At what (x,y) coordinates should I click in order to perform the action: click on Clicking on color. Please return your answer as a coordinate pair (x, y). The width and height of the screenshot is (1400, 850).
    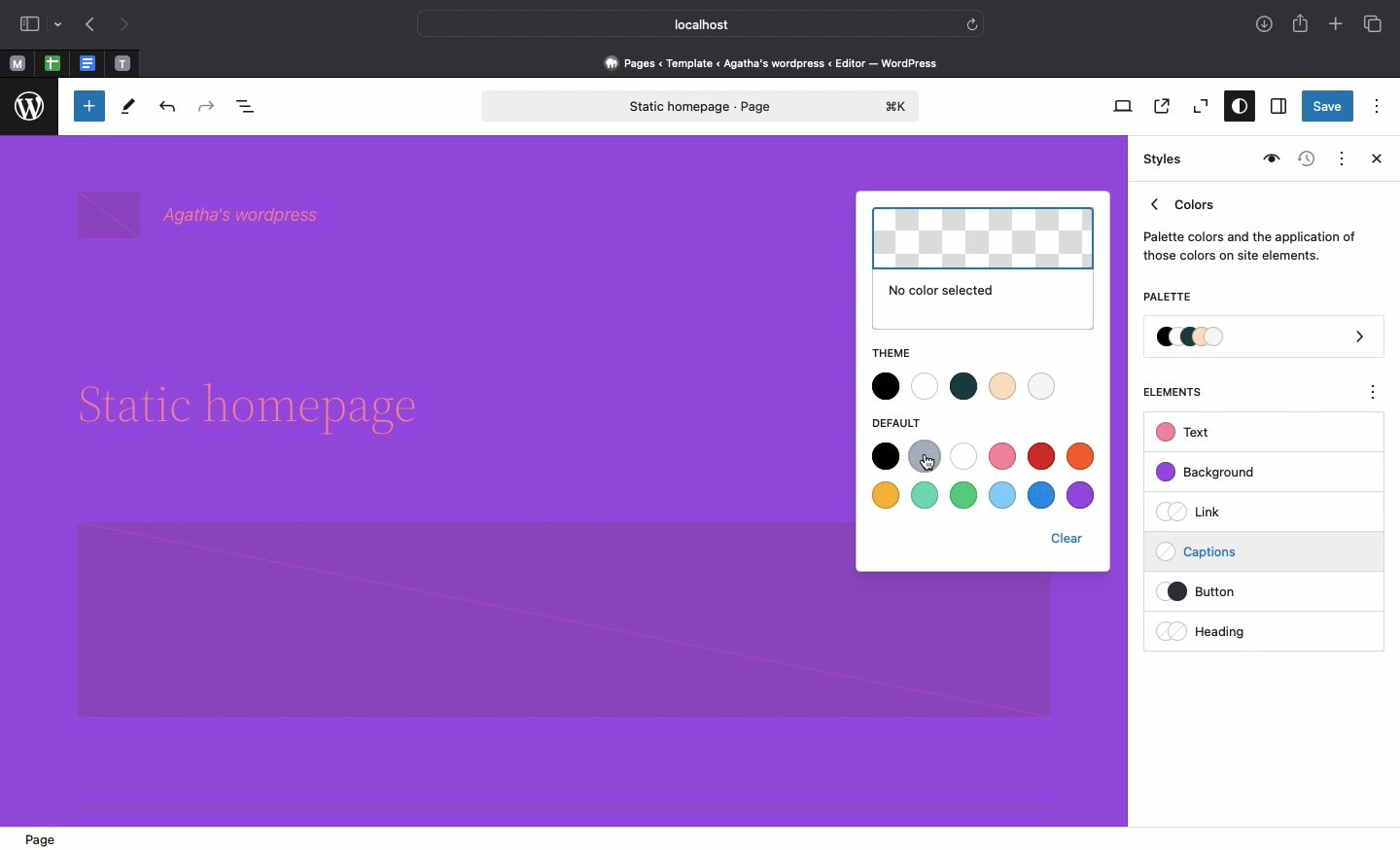
    Looking at the image, I should click on (928, 465).